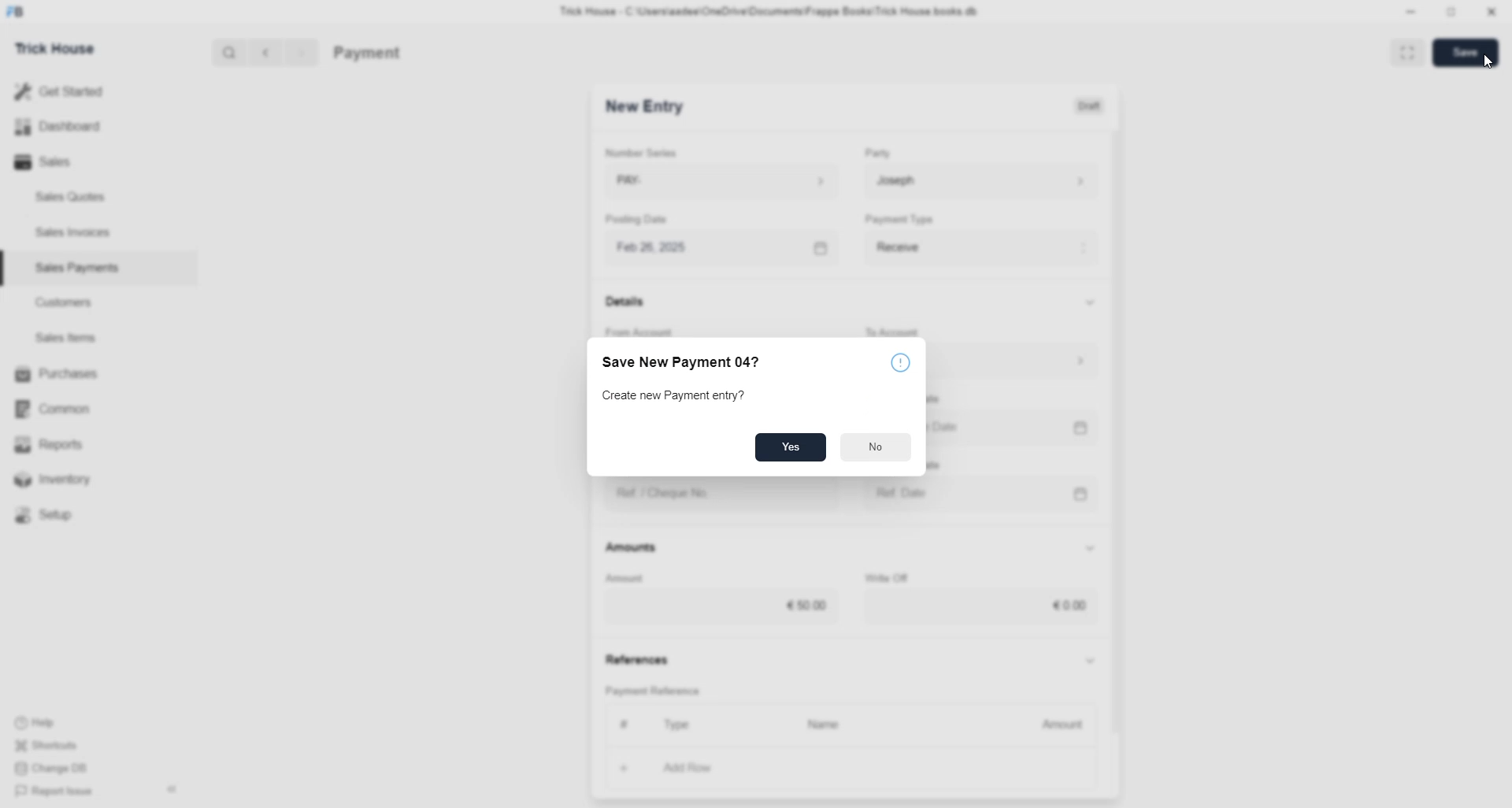 Image resolution: width=1512 pixels, height=808 pixels. Describe the element at coordinates (67, 338) in the screenshot. I see `Sales Items` at that location.